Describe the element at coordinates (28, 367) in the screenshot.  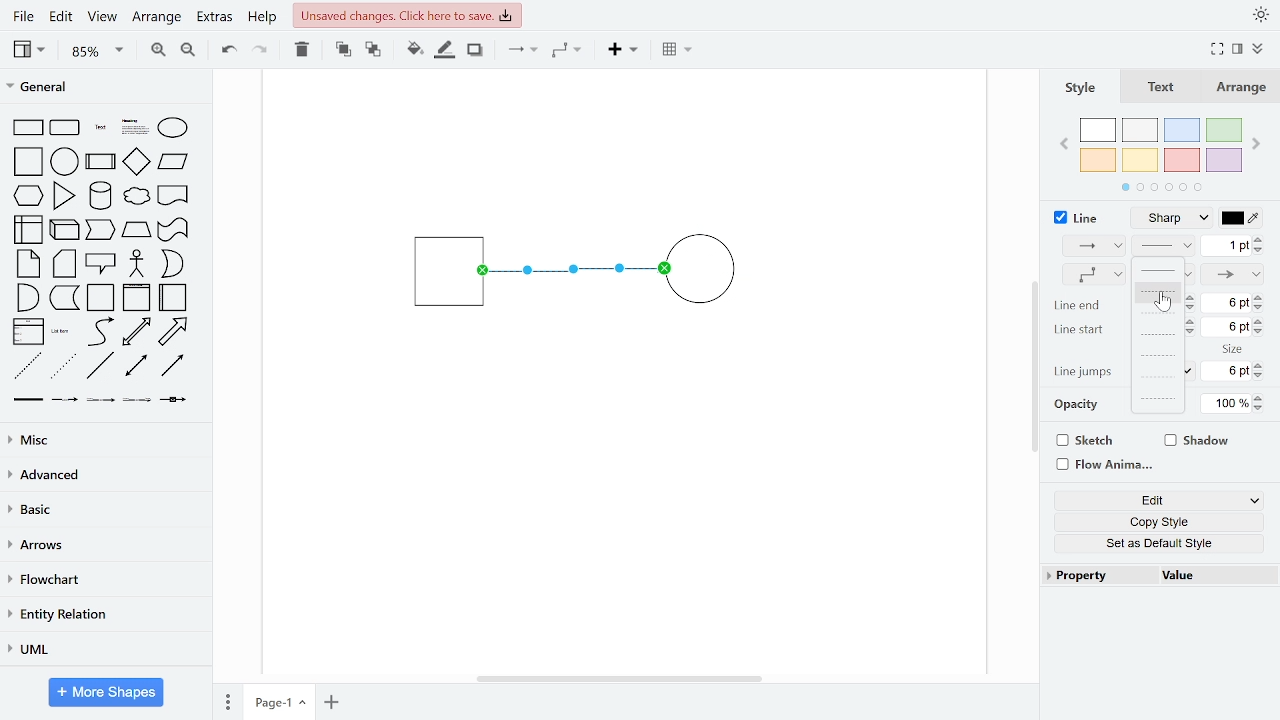
I see `dashed line` at that location.